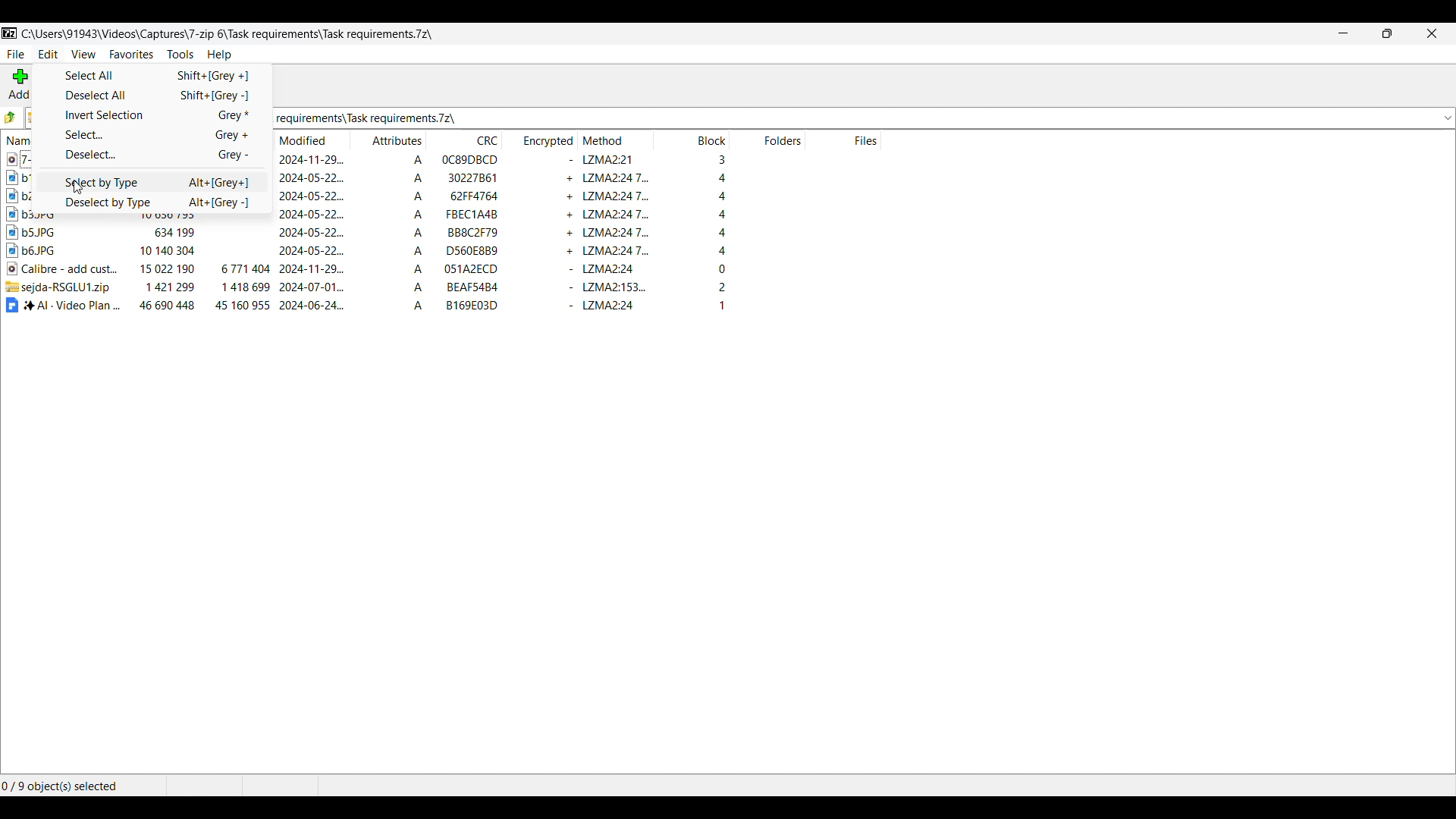 Image resolution: width=1456 pixels, height=819 pixels. Describe the element at coordinates (151, 95) in the screenshot. I see `Deselect all` at that location.